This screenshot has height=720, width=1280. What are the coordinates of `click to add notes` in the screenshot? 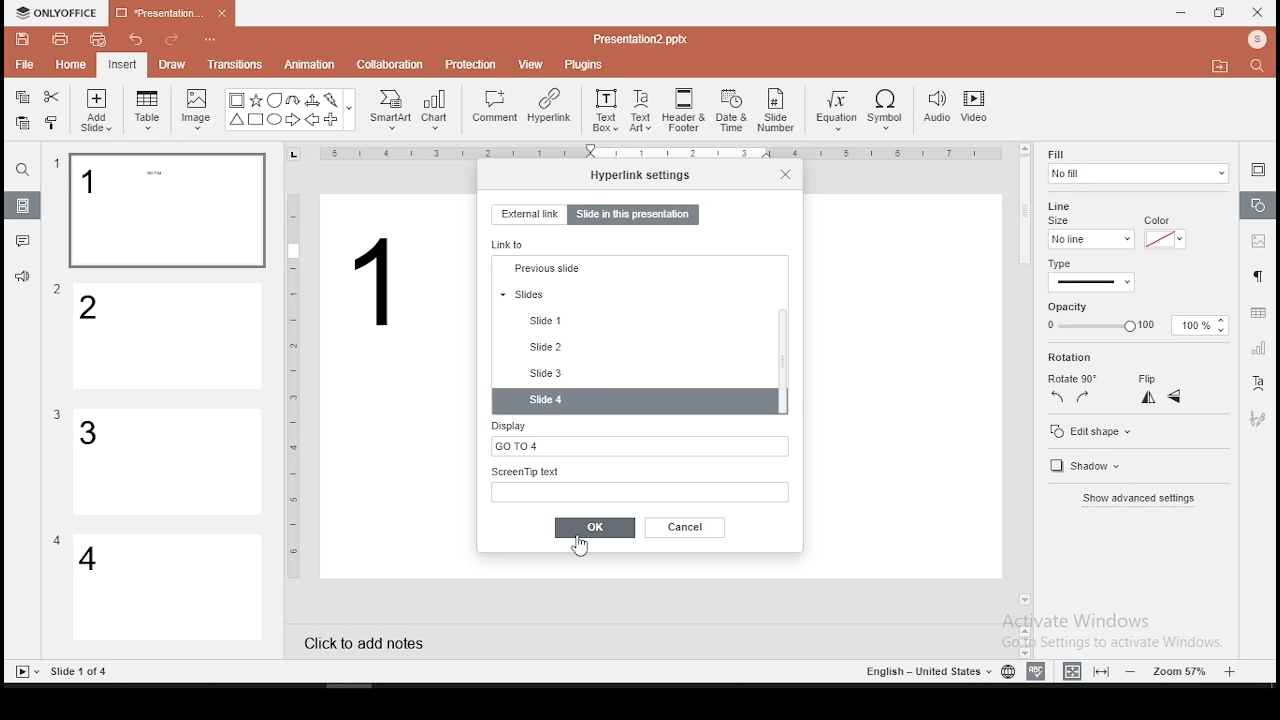 It's located at (370, 641).